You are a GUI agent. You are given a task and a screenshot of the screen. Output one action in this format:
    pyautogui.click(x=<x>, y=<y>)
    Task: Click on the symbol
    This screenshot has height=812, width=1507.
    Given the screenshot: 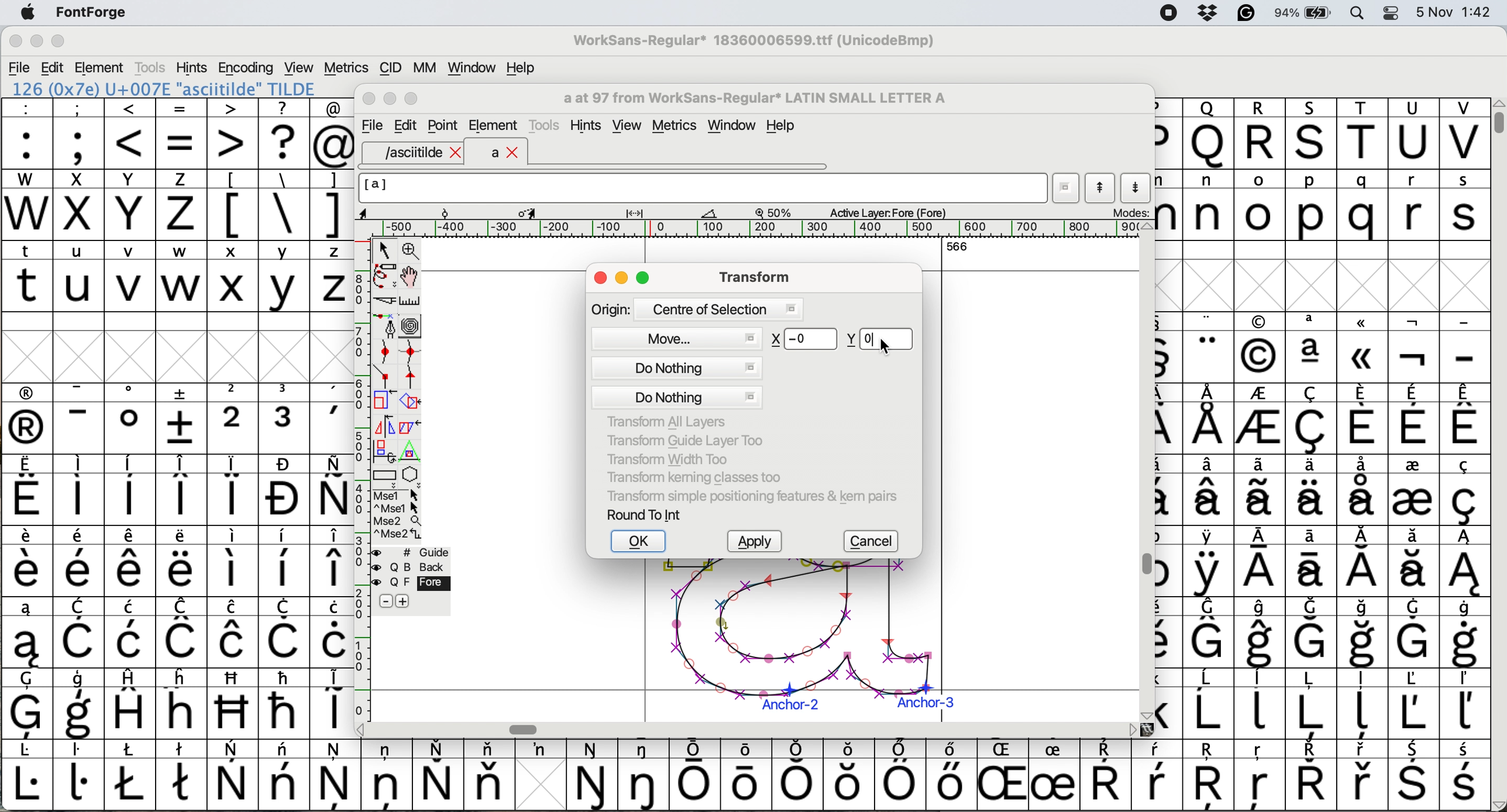 What is the action you would take?
    pyautogui.click(x=130, y=490)
    